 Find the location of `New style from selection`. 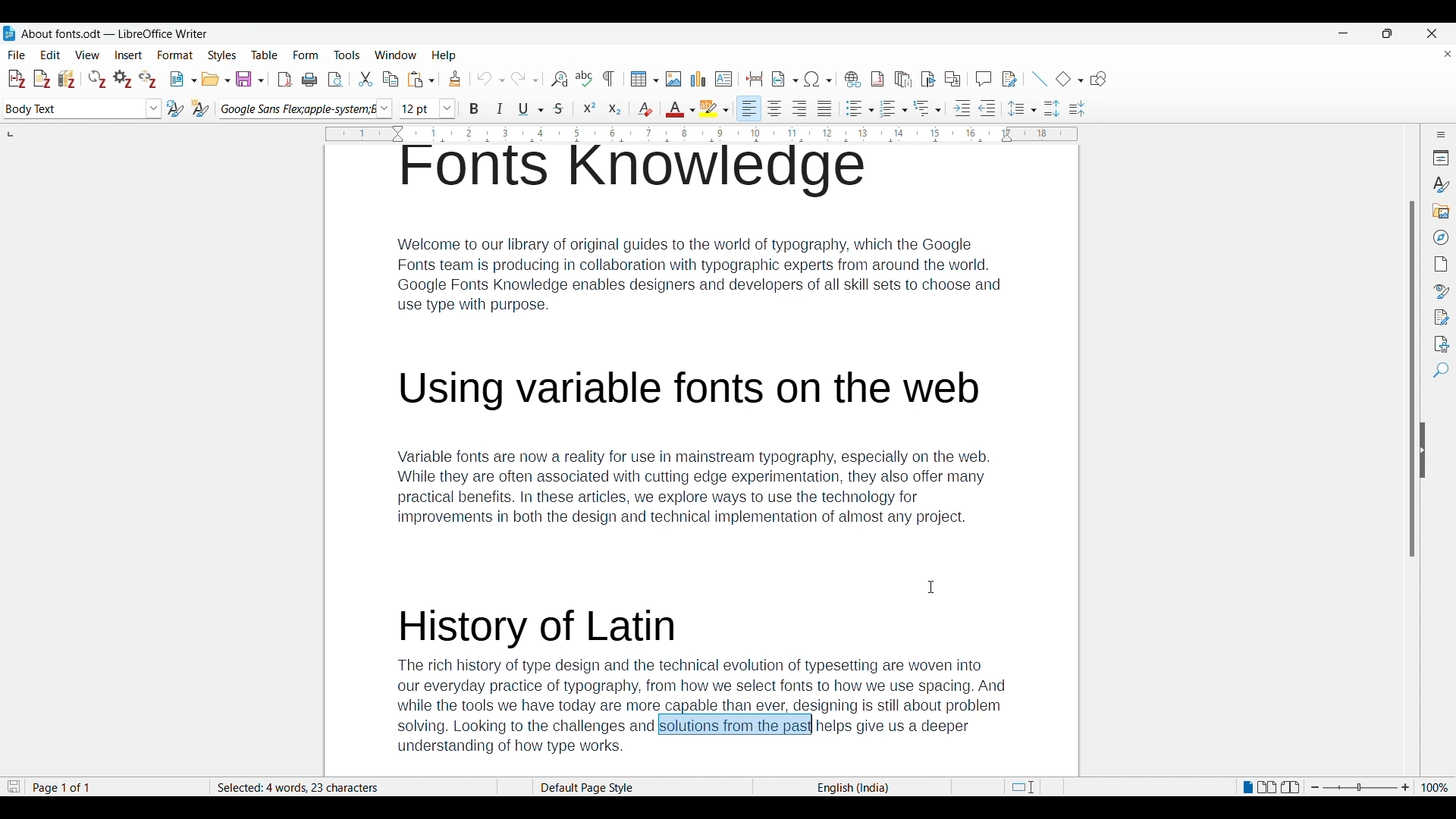

New style from selection is located at coordinates (201, 108).